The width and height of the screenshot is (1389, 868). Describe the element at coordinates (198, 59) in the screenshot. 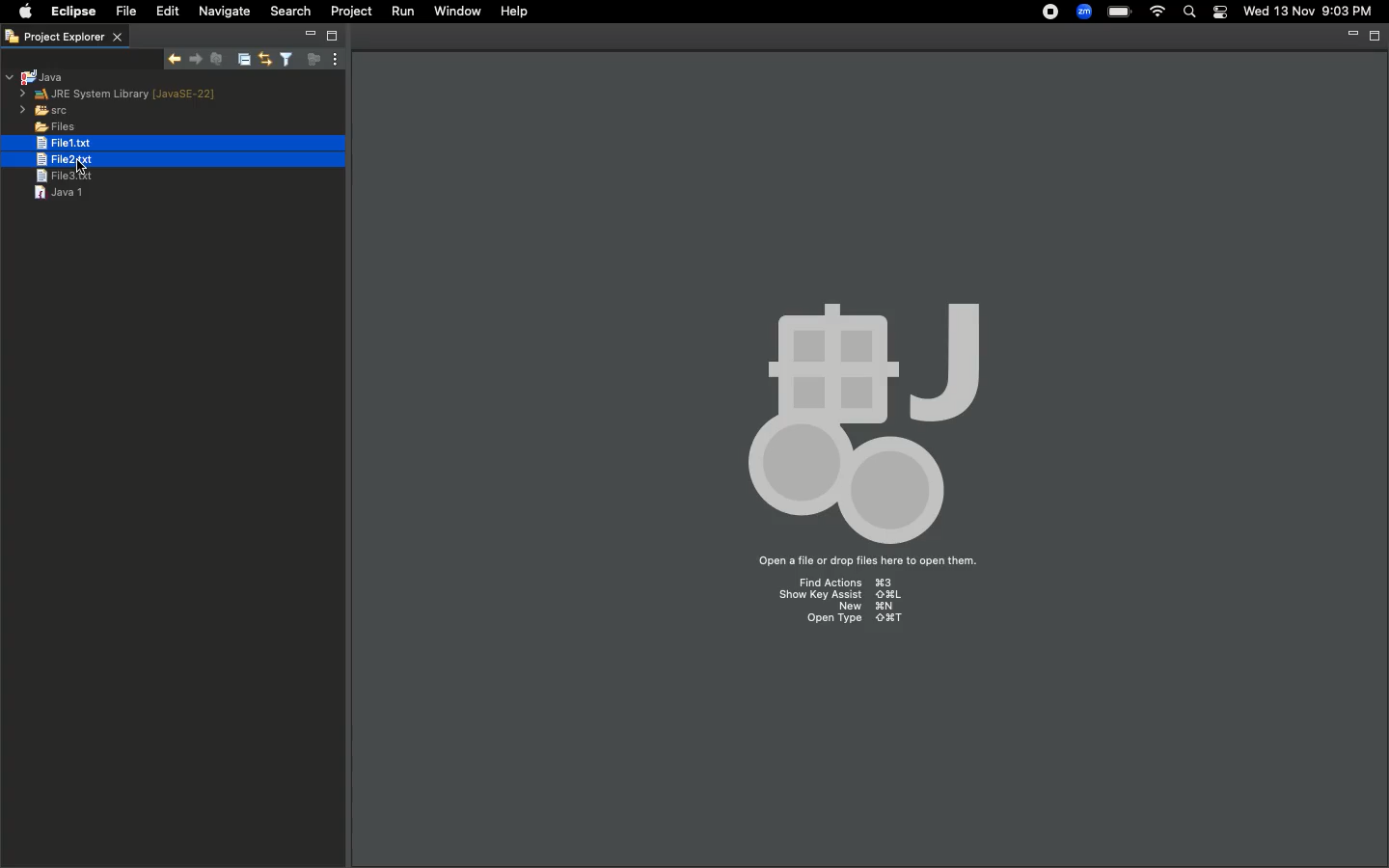

I see `Show previous match` at that location.